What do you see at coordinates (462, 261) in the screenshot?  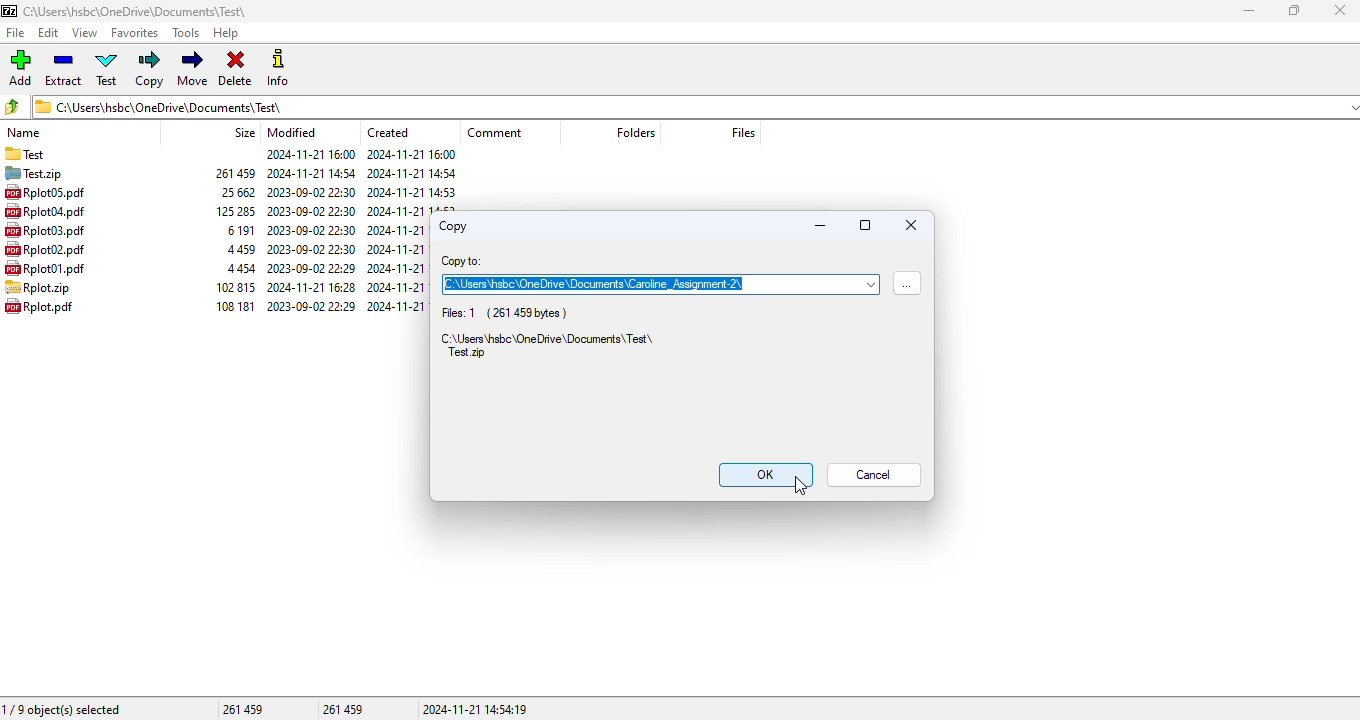 I see `copy to:` at bounding box center [462, 261].